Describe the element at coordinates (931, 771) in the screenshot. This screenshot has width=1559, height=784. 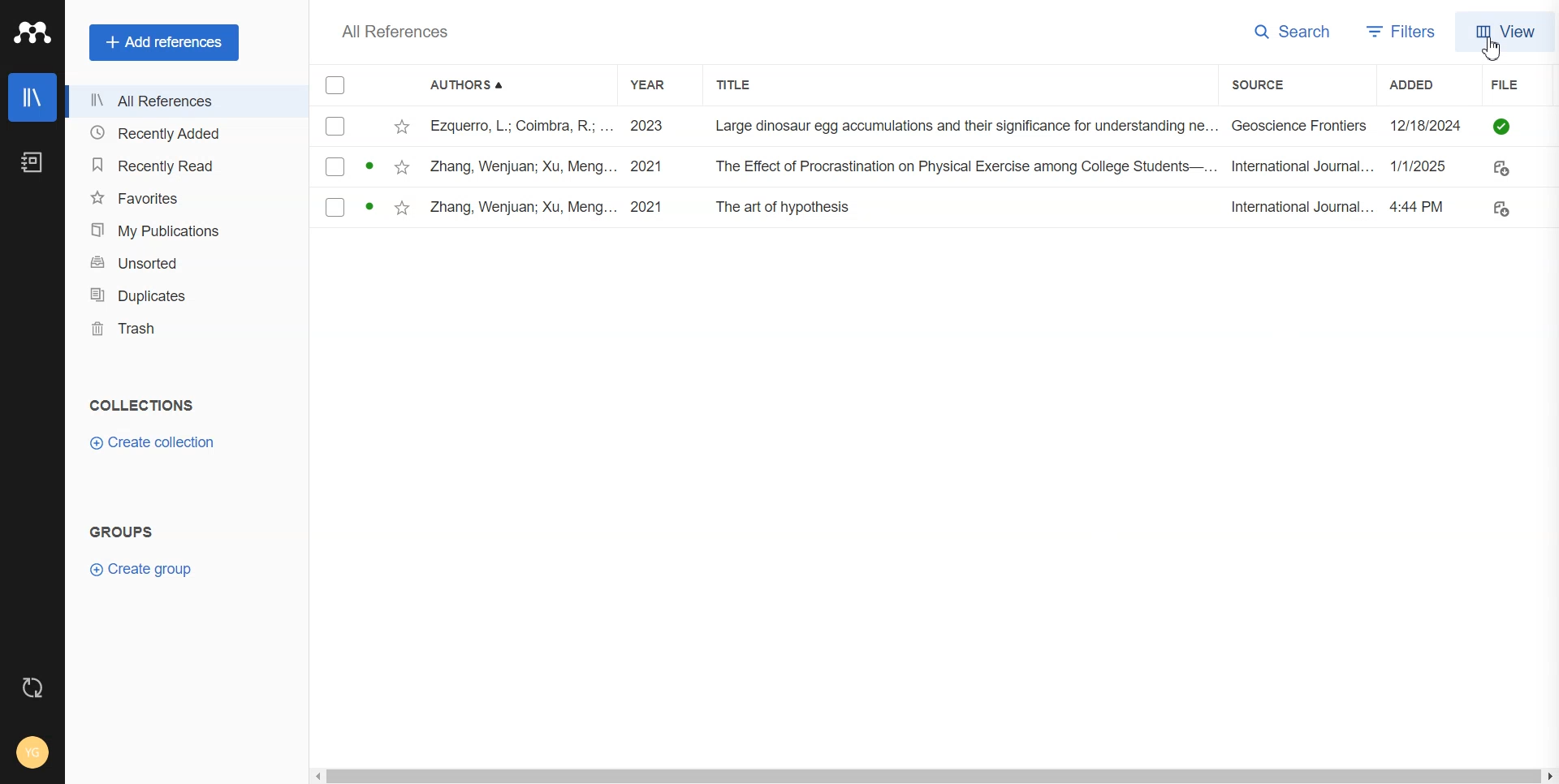
I see `Horizontal scroll bar` at that location.